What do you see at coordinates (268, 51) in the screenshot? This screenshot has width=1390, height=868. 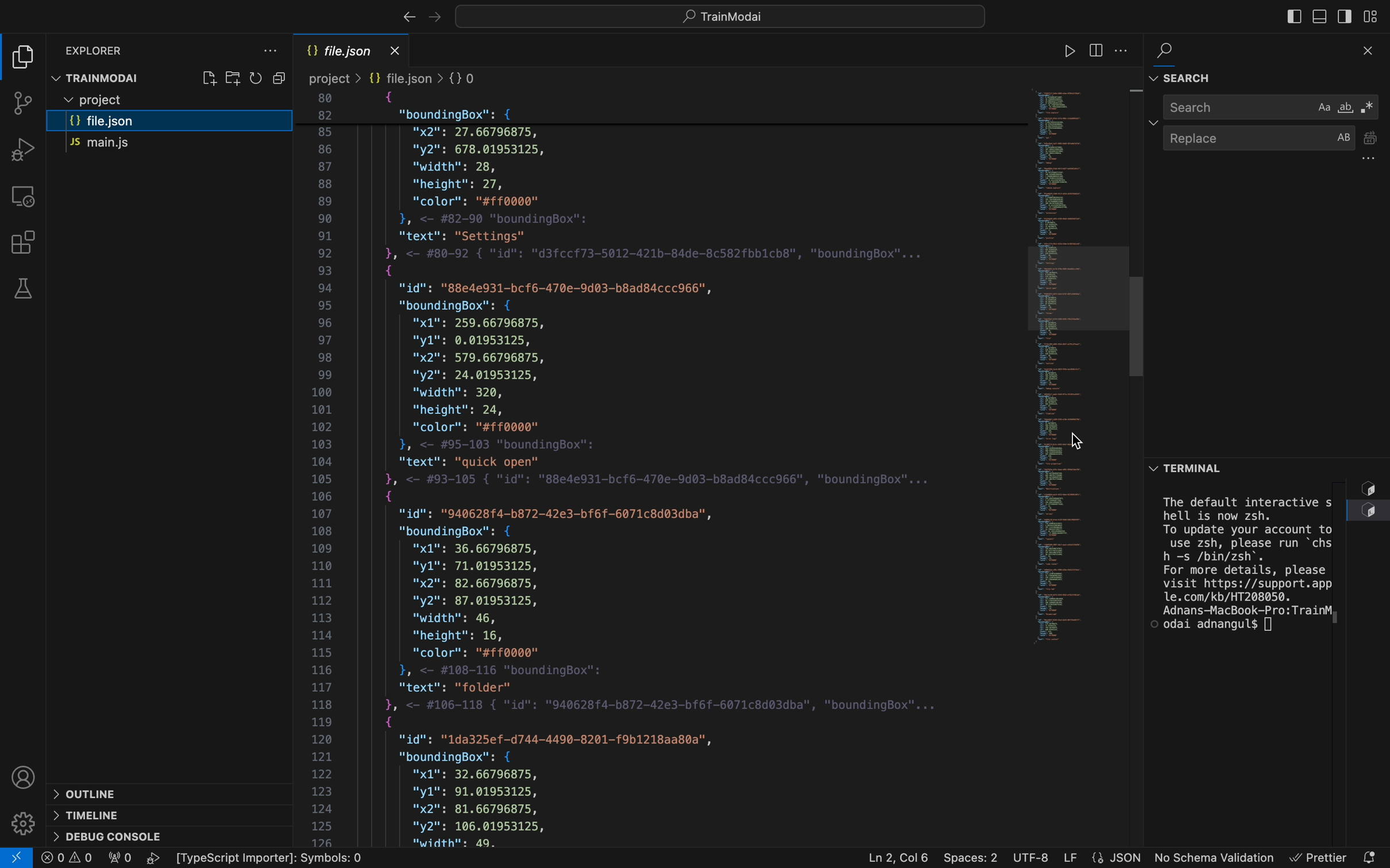 I see `file explorer settings` at bounding box center [268, 51].